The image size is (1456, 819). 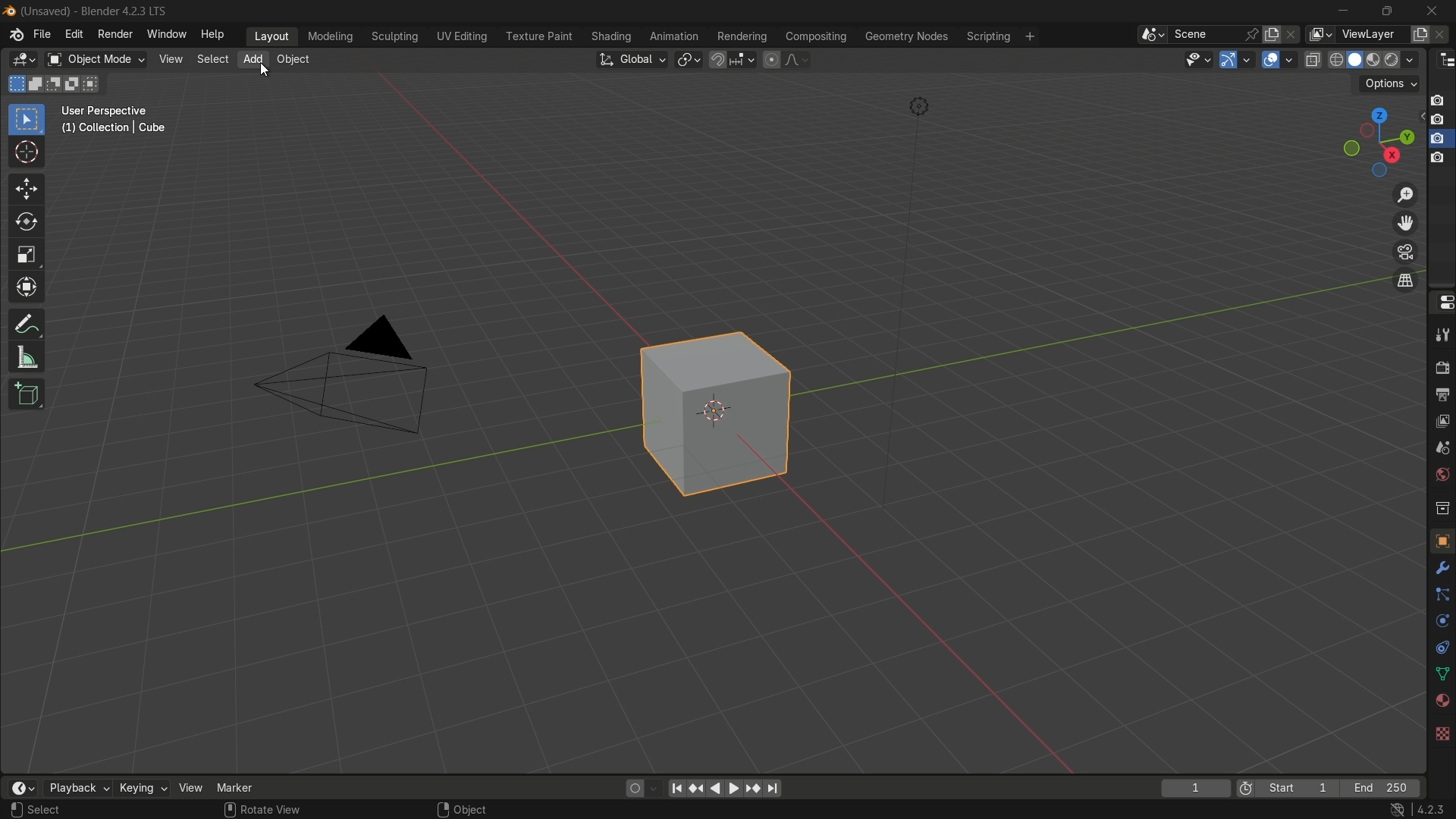 What do you see at coordinates (396, 36) in the screenshot?
I see `sculpting` at bounding box center [396, 36].